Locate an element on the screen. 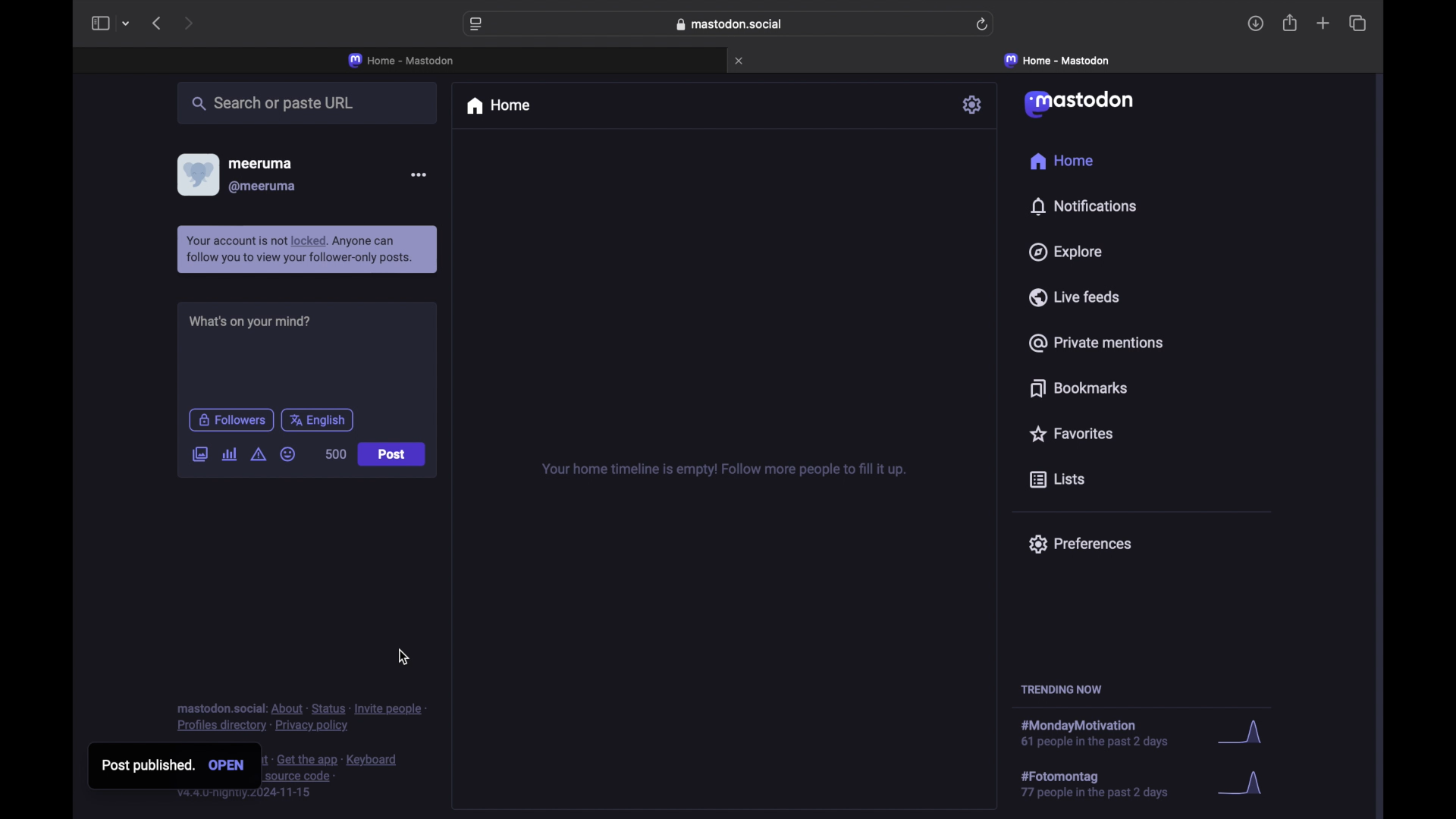  lists is located at coordinates (1056, 479).